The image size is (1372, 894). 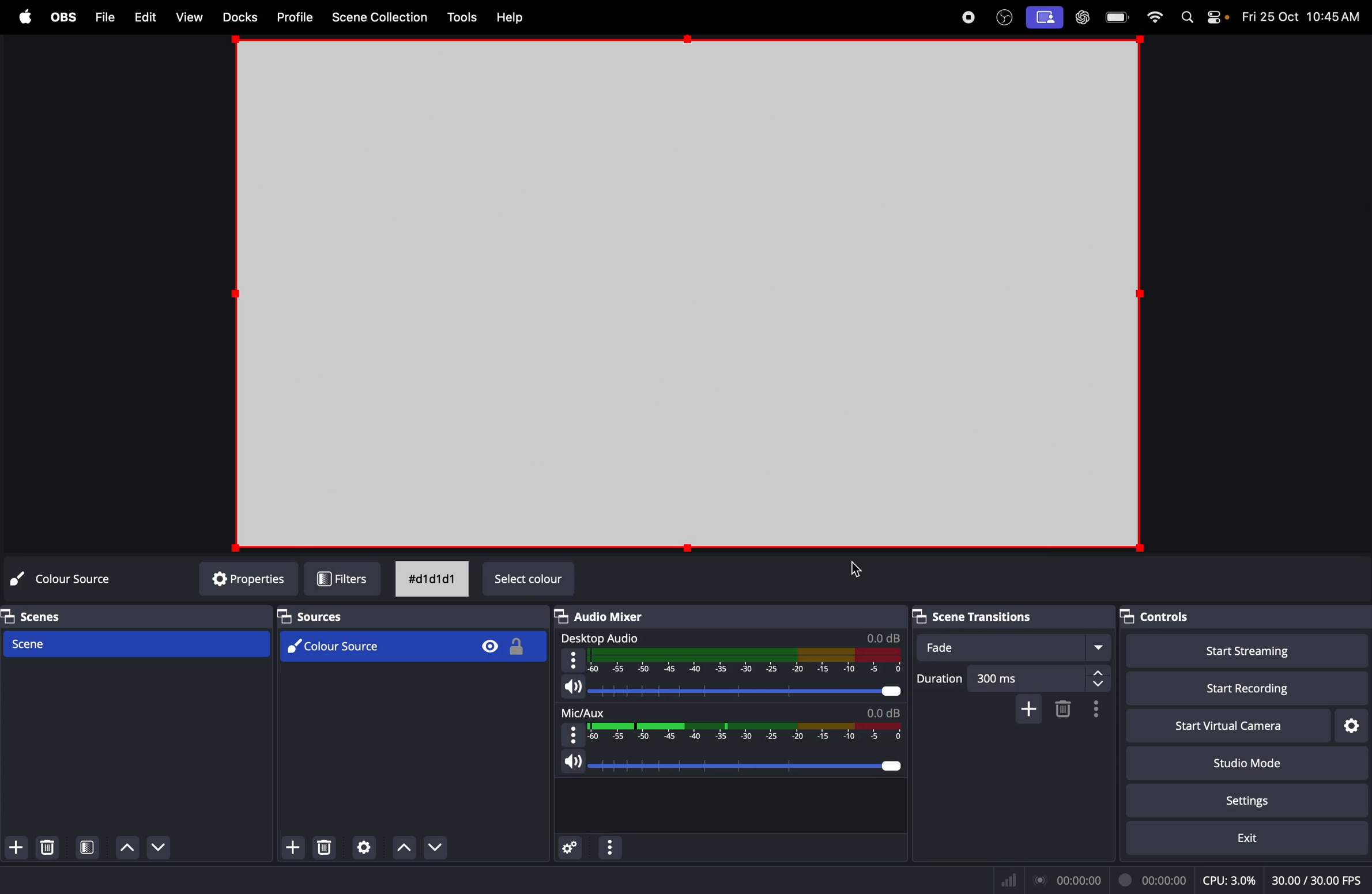 What do you see at coordinates (1113, 880) in the screenshot?
I see `record time` at bounding box center [1113, 880].